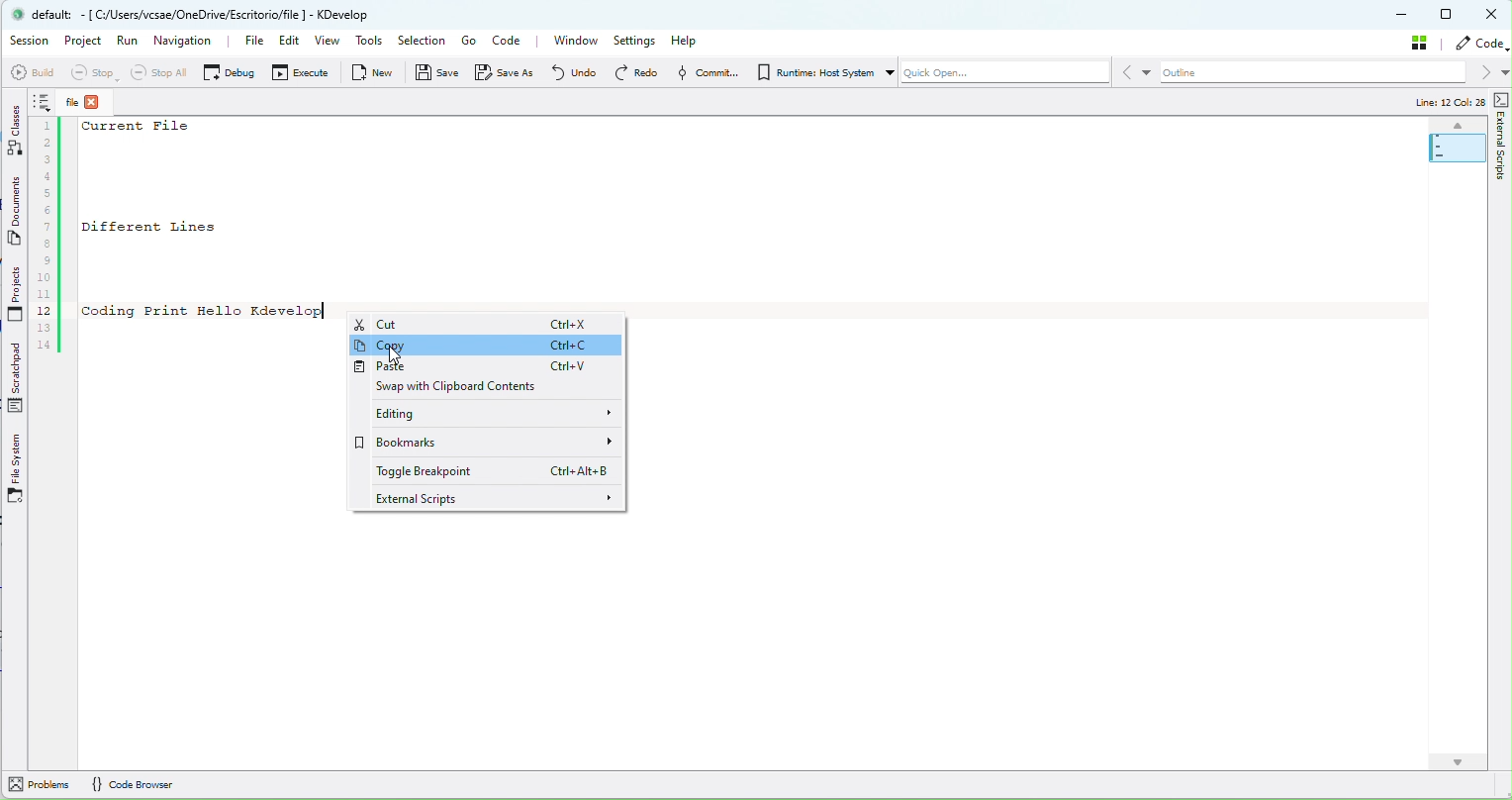 The height and width of the screenshot is (800, 1512). What do you see at coordinates (128, 46) in the screenshot?
I see `Run` at bounding box center [128, 46].